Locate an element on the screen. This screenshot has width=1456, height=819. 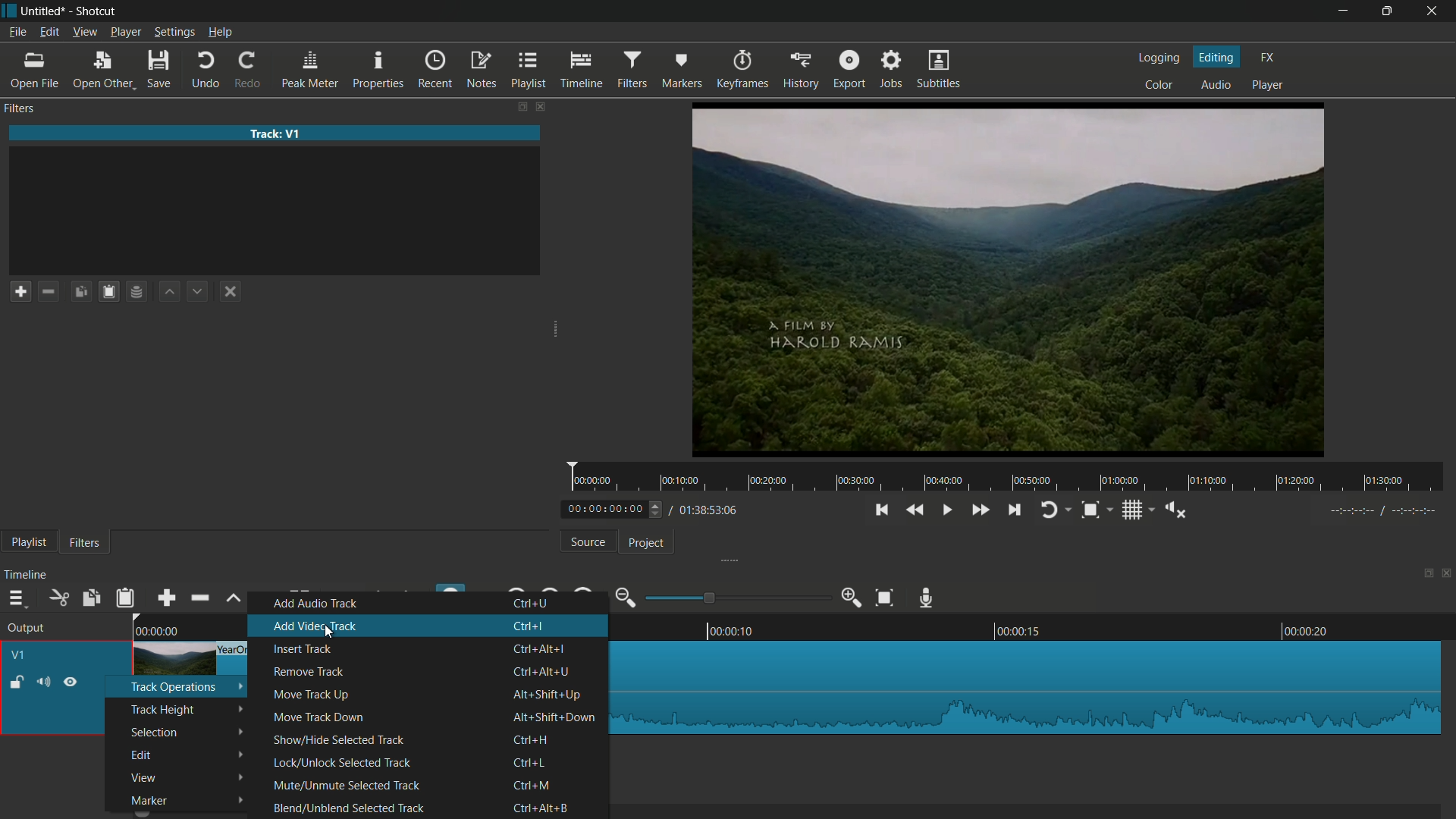
timeline is located at coordinates (27, 576).